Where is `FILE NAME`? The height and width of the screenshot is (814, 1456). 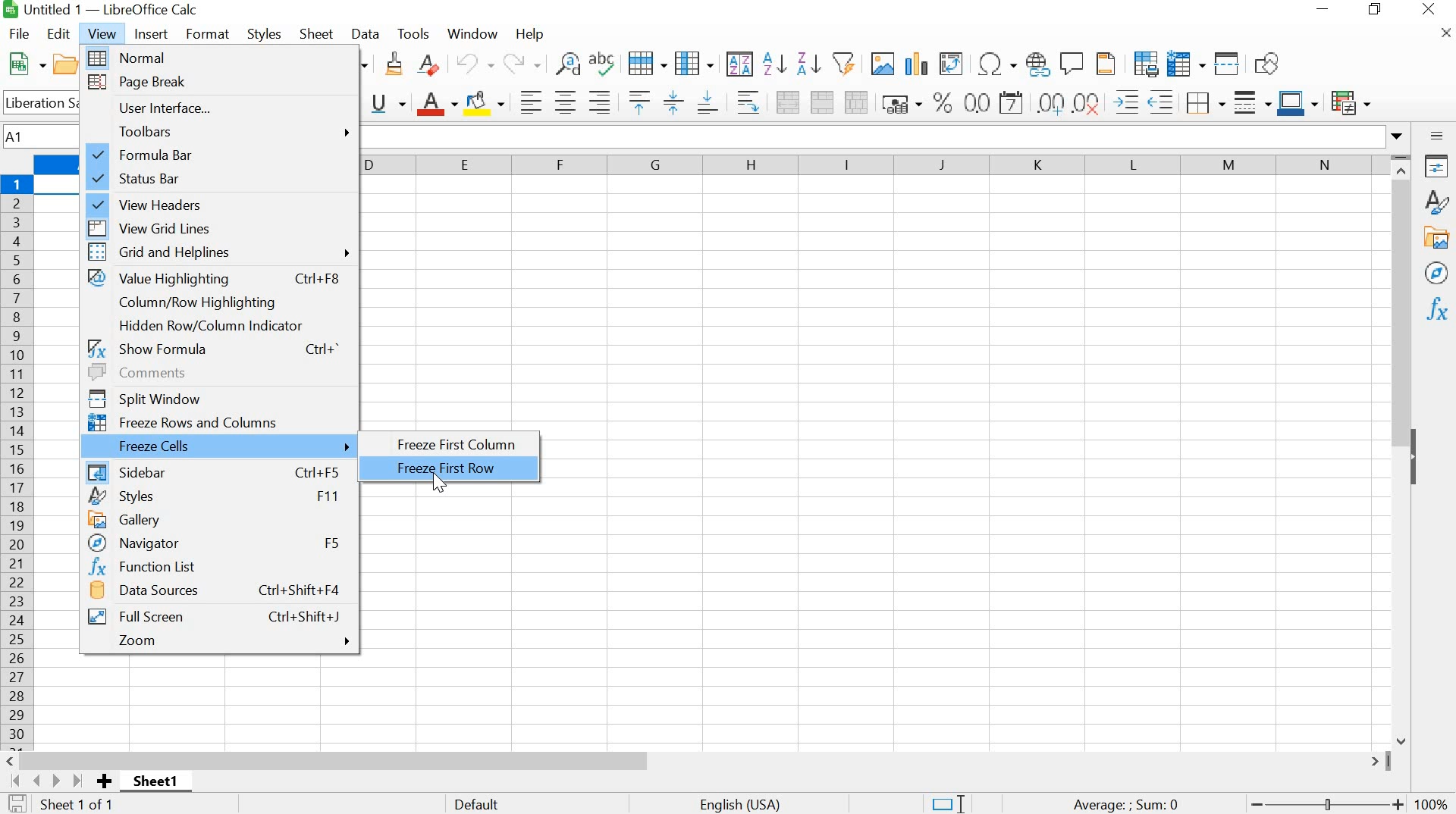
FILE NAME is located at coordinates (103, 11).